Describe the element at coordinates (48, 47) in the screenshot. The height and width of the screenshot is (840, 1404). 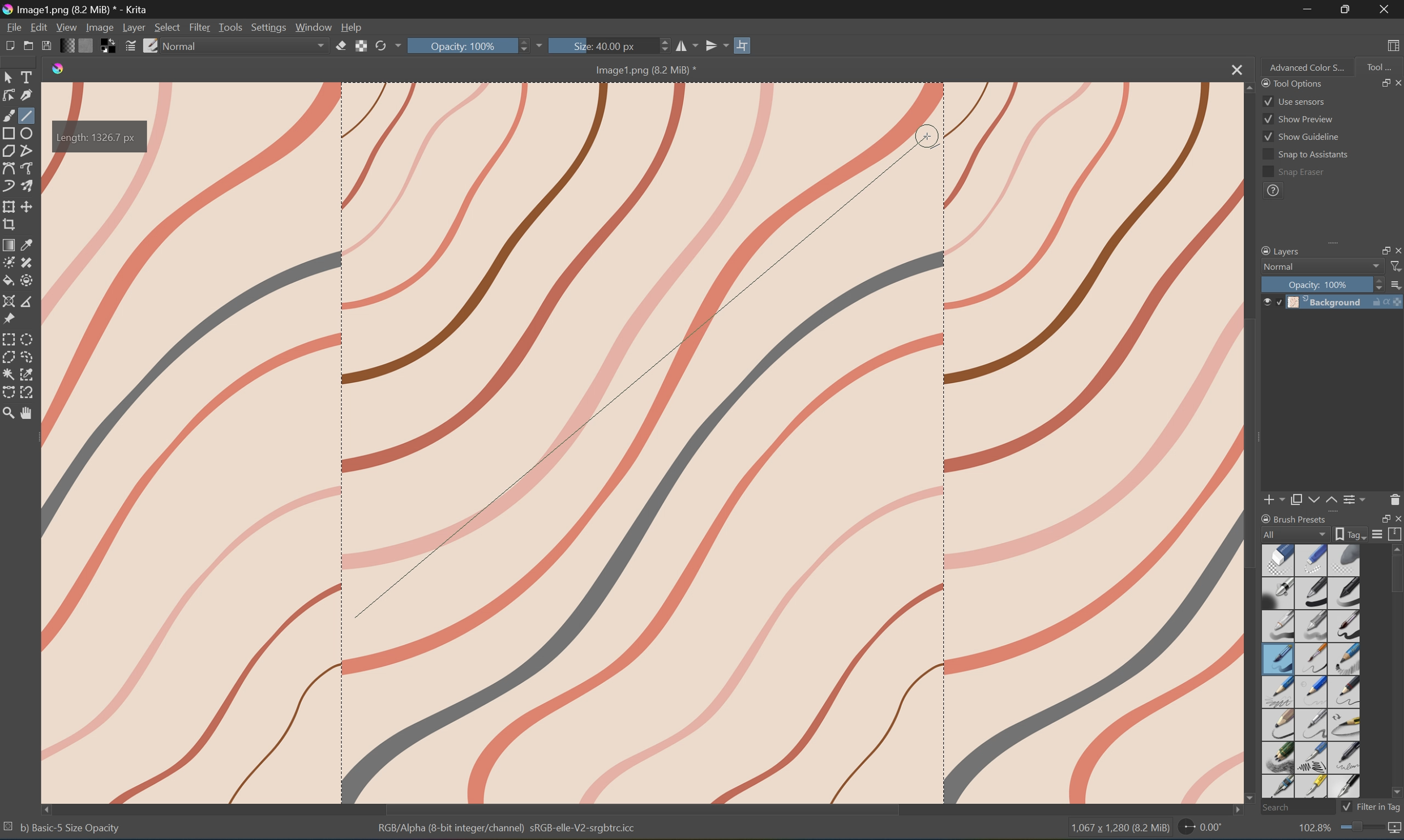
I see `Save` at that location.